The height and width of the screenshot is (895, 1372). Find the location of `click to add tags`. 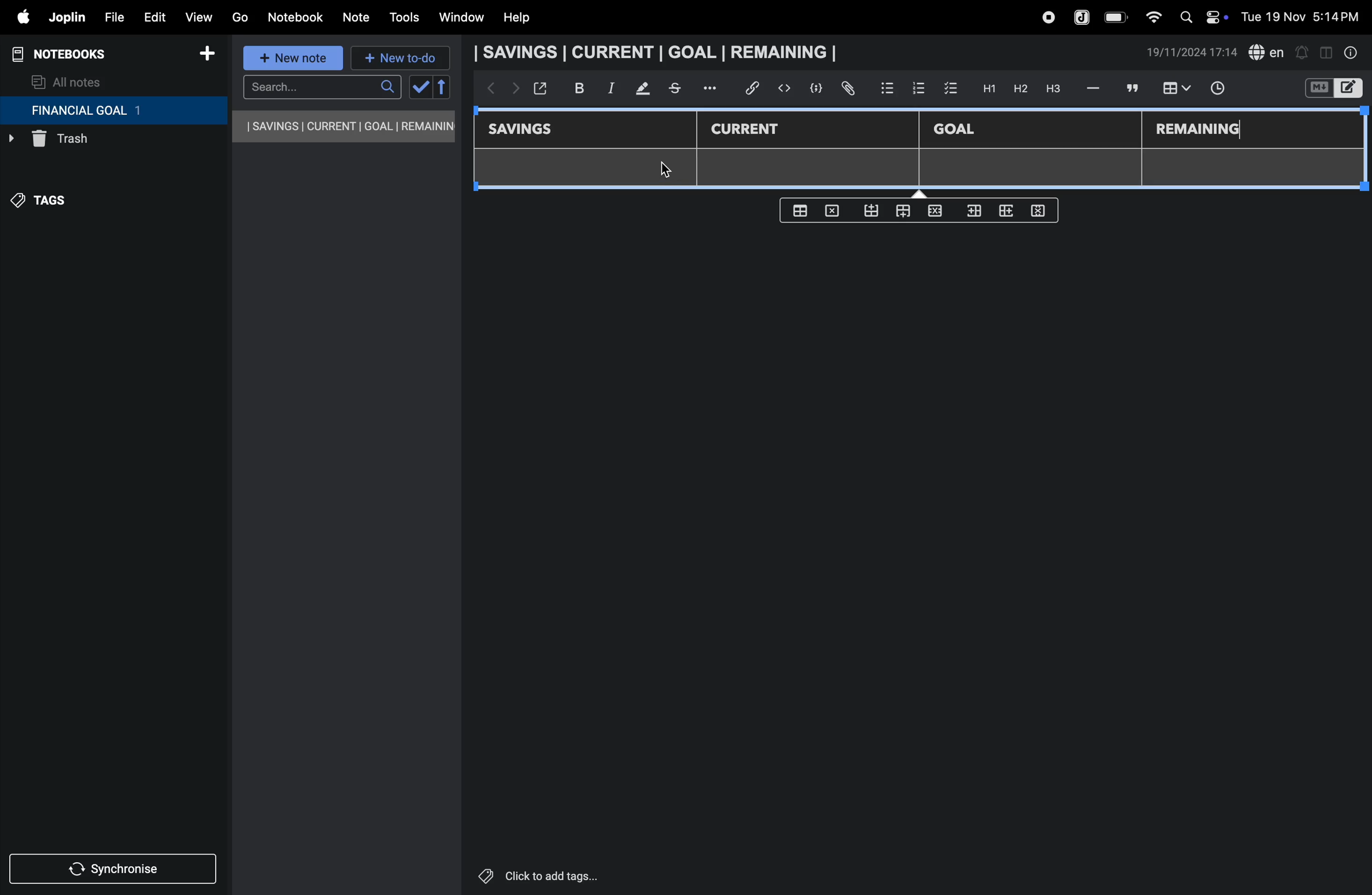

click to add tags is located at coordinates (567, 875).